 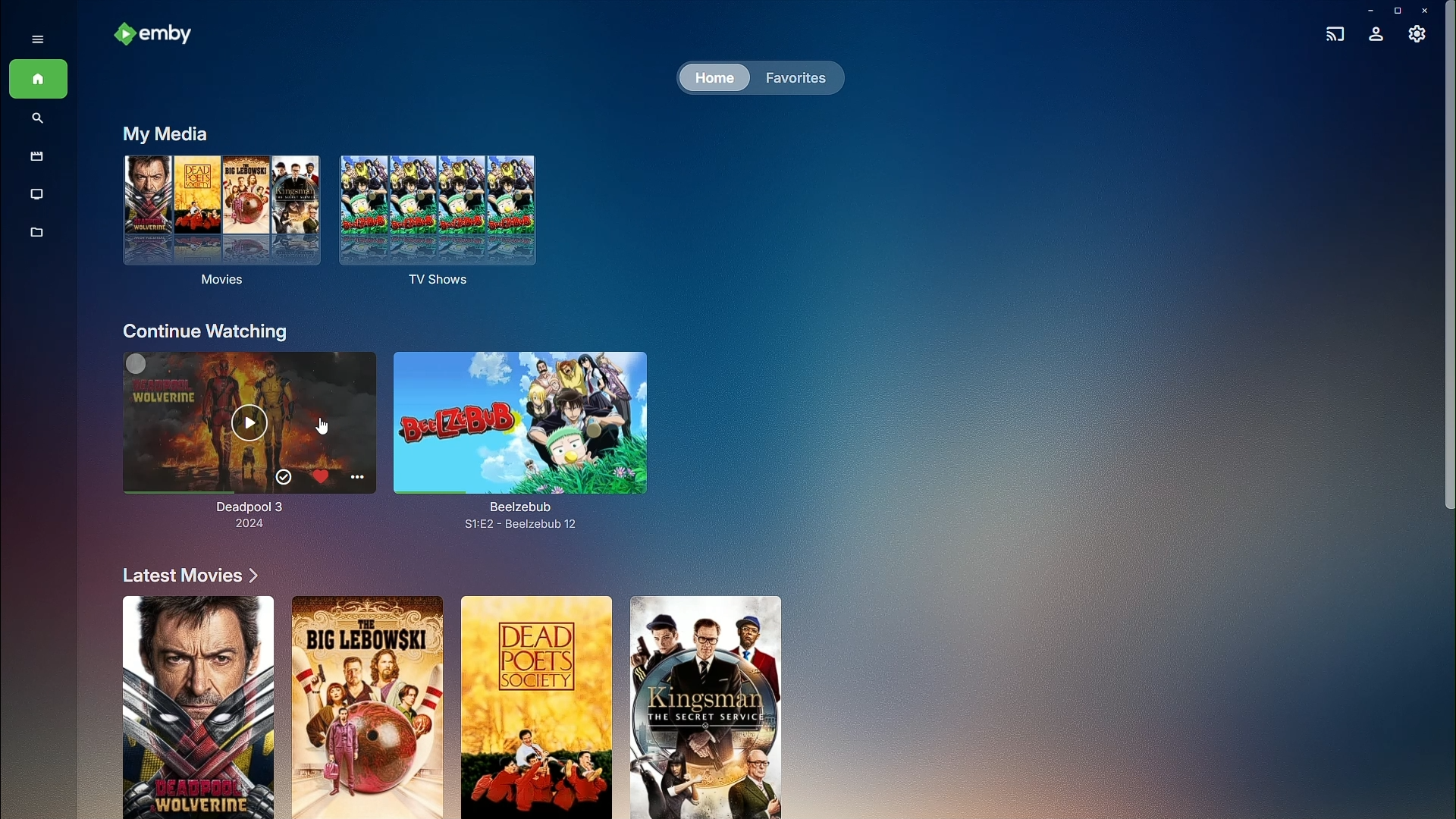 I want to click on emby, so click(x=162, y=36).